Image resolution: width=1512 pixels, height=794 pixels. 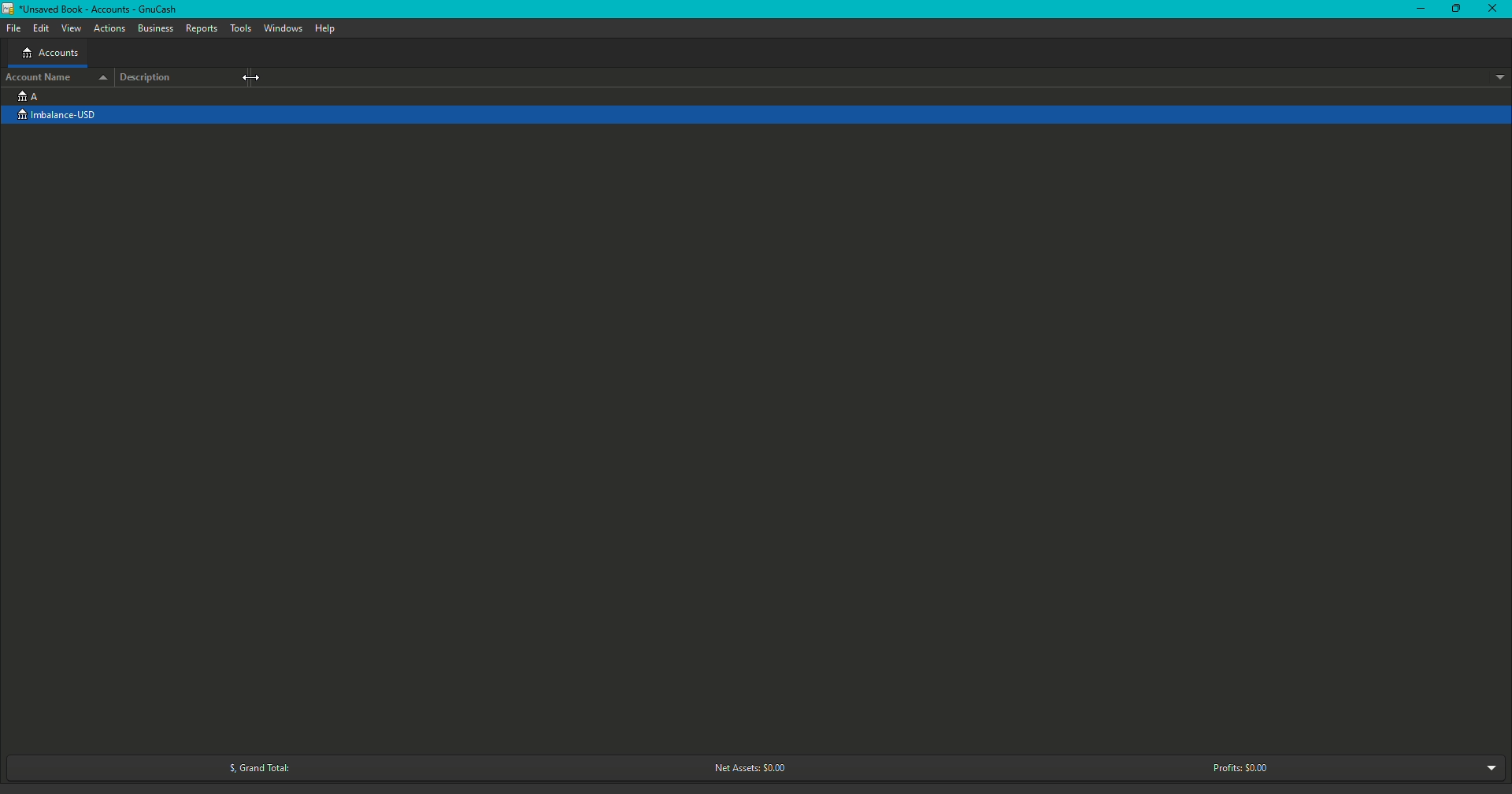 What do you see at coordinates (1421, 9) in the screenshot?
I see `Minimize` at bounding box center [1421, 9].